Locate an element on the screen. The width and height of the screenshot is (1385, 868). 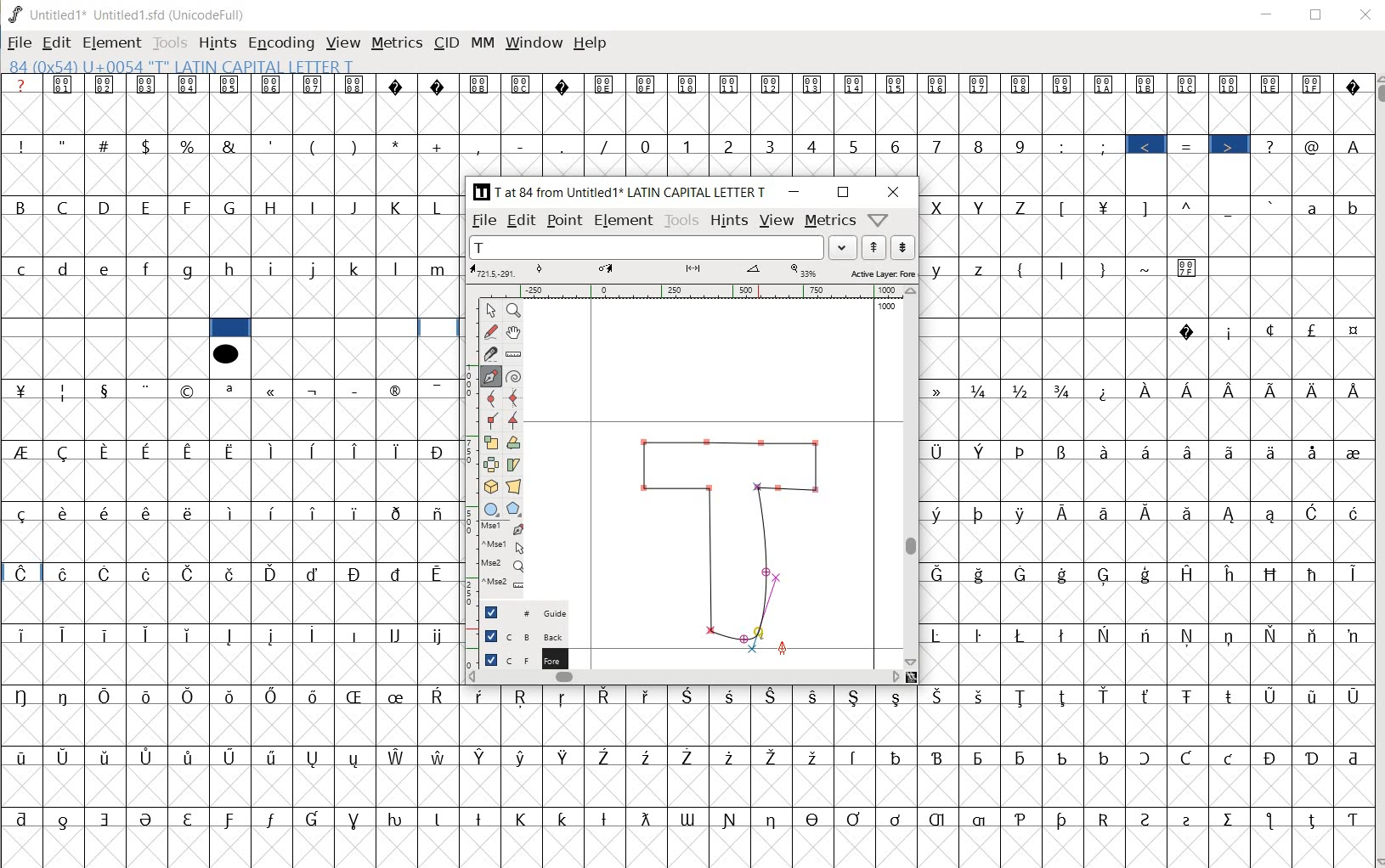
h is located at coordinates (233, 270).